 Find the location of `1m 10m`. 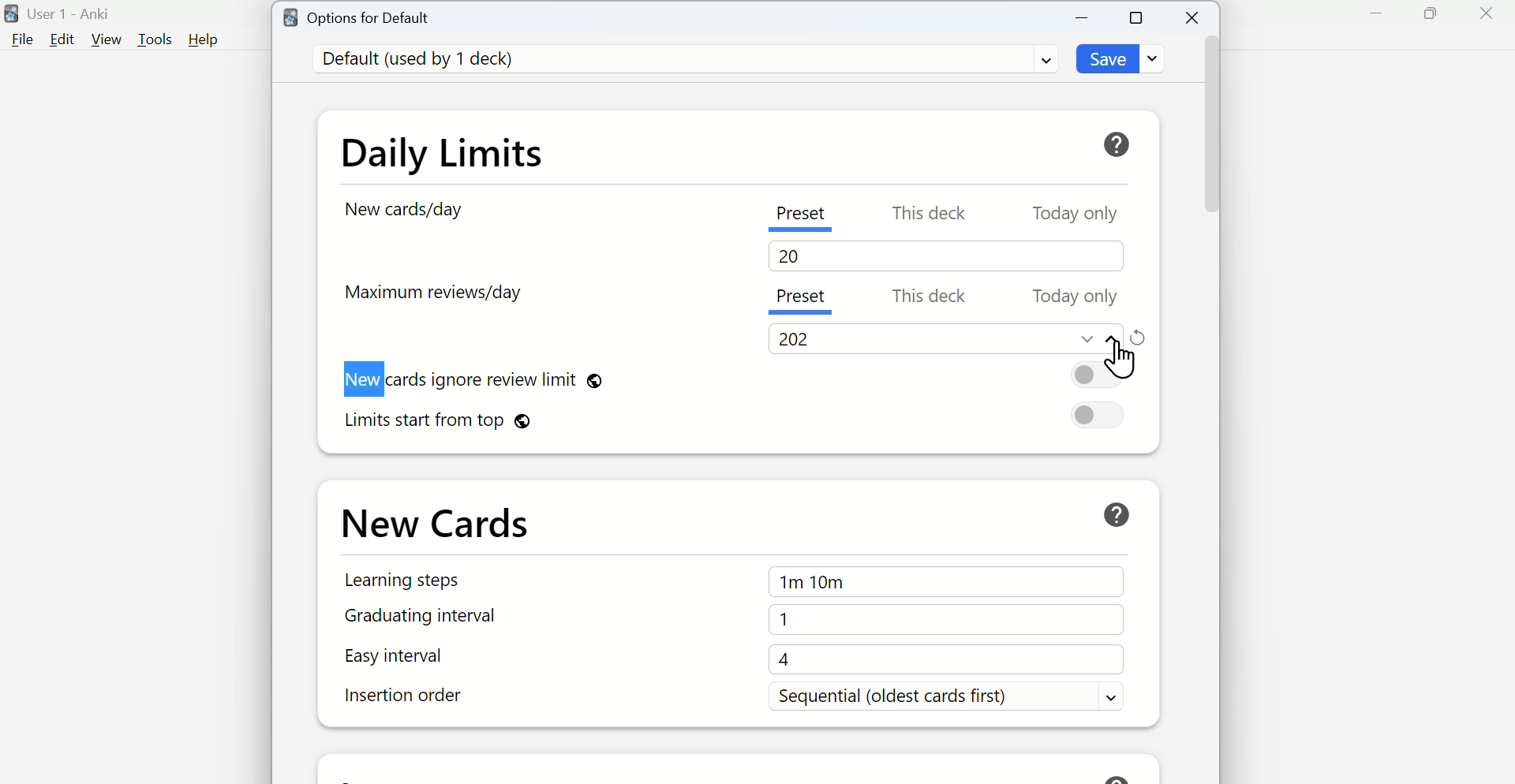

1m 10m is located at coordinates (945, 581).